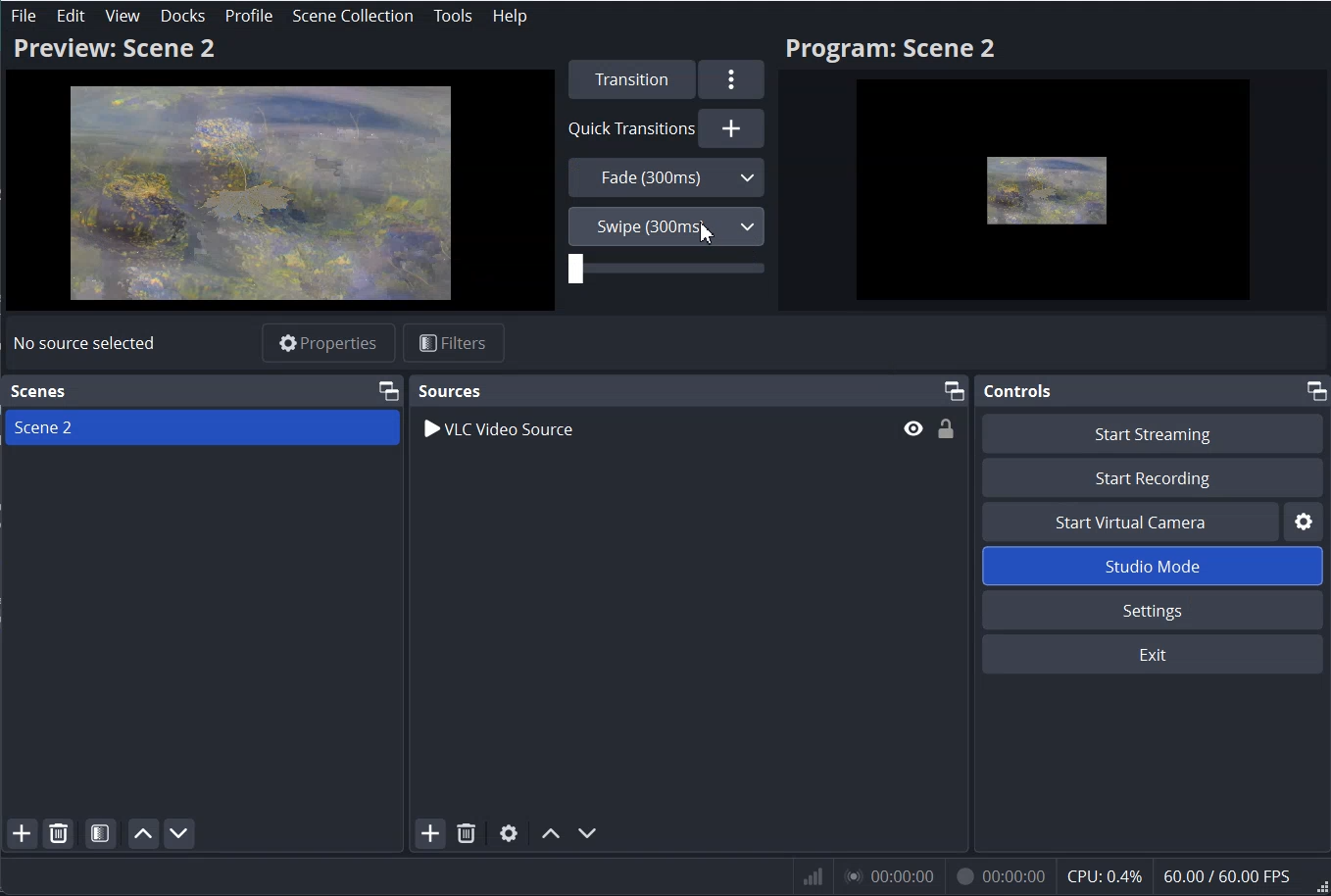  Describe the element at coordinates (1311, 391) in the screenshot. I see `maximise` at that location.